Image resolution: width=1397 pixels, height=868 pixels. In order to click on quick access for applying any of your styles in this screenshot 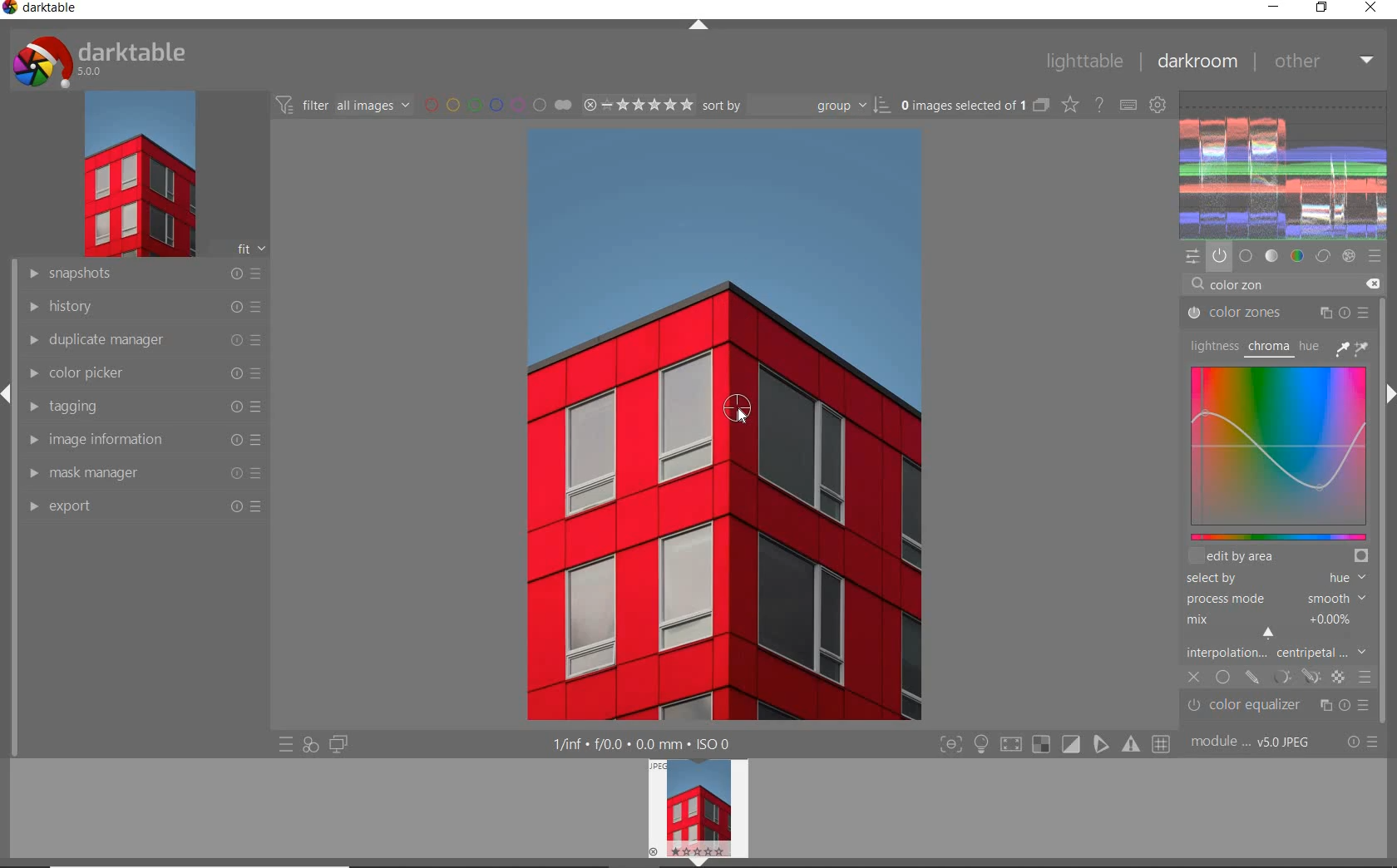, I will do `click(311, 744)`.